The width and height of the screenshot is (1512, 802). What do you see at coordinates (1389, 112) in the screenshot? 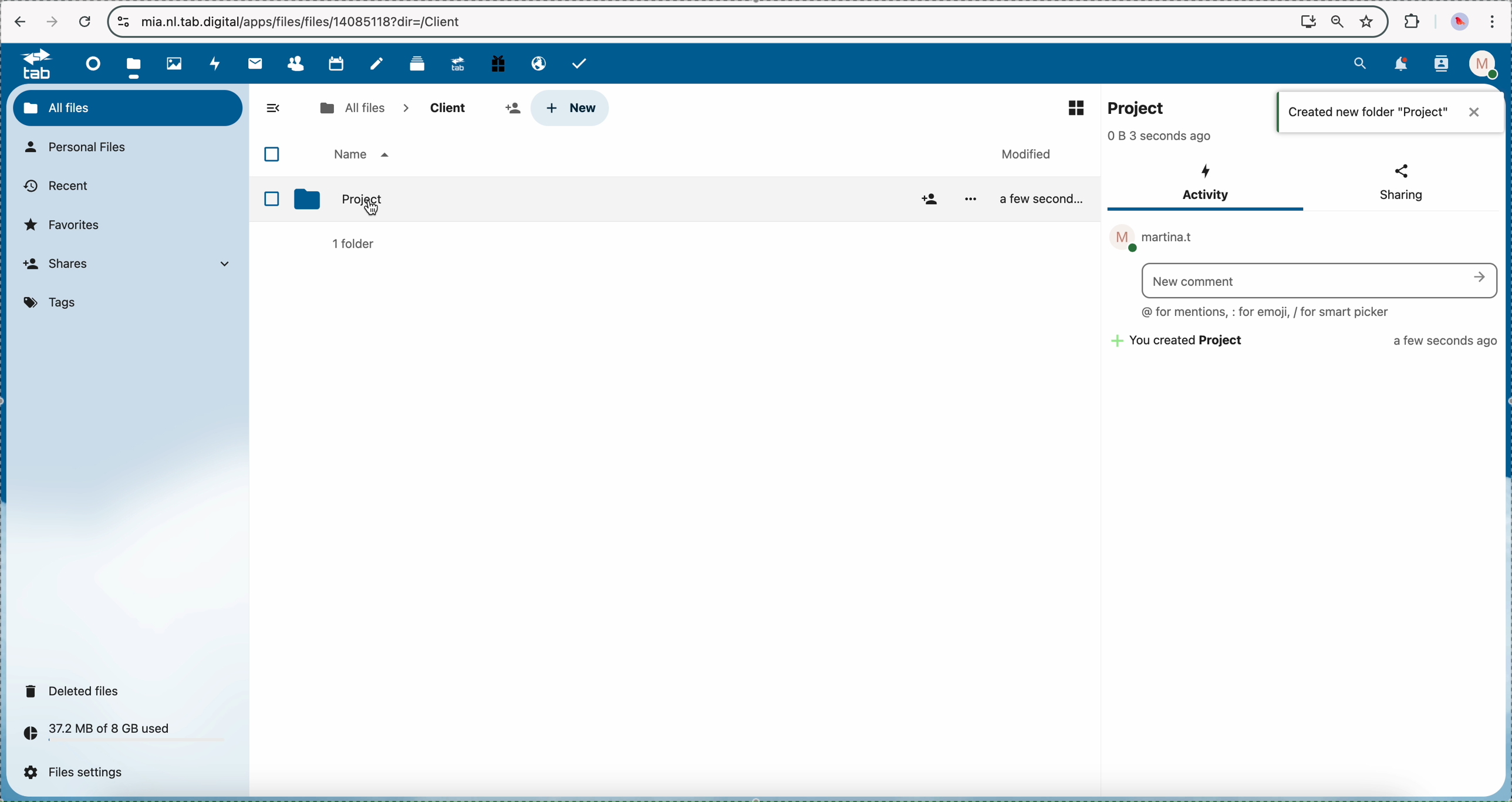
I see `m
| Created new folder "Project"  X` at bounding box center [1389, 112].